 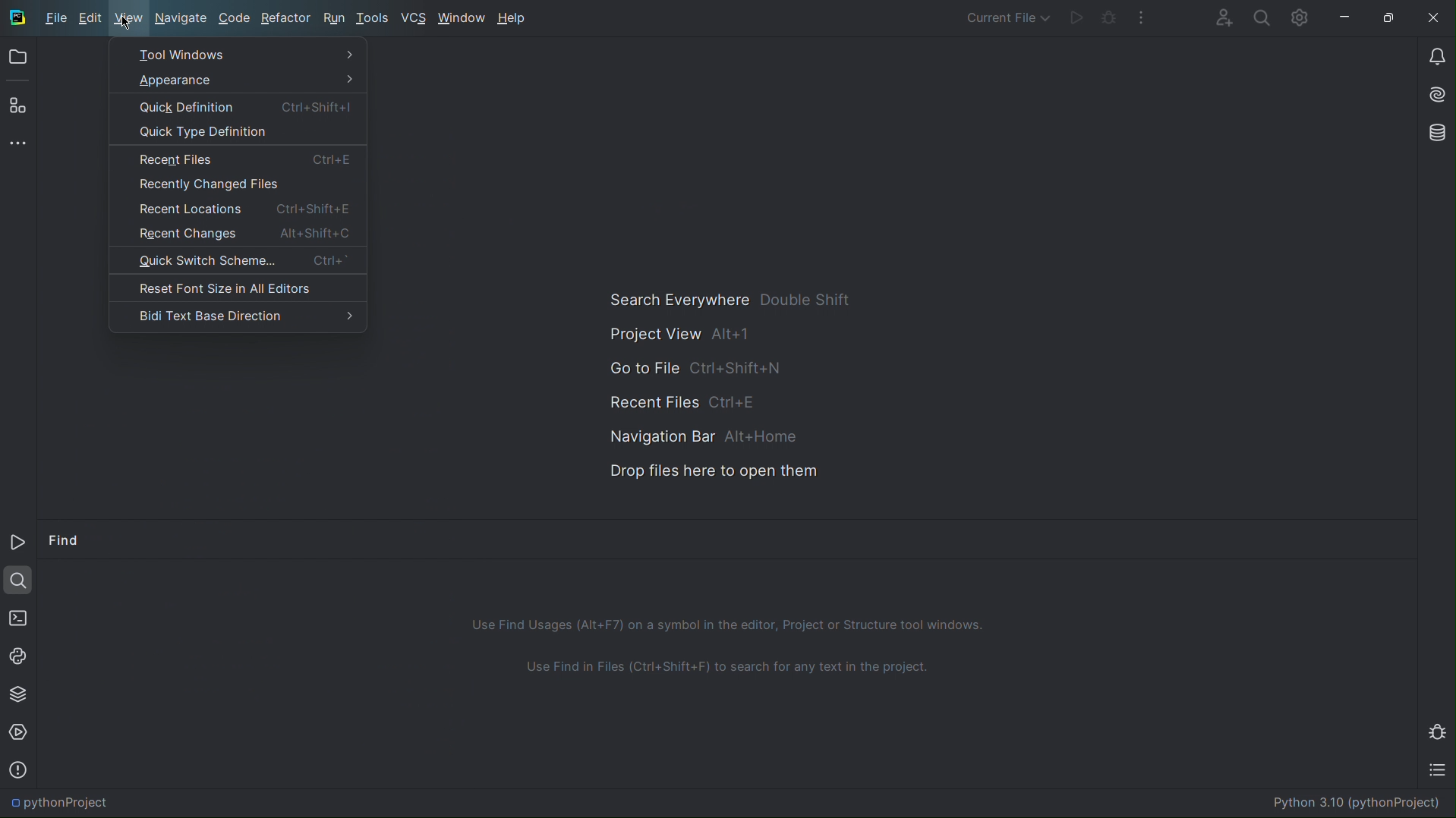 What do you see at coordinates (20, 733) in the screenshot?
I see `Services` at bounding box center [20, 733].